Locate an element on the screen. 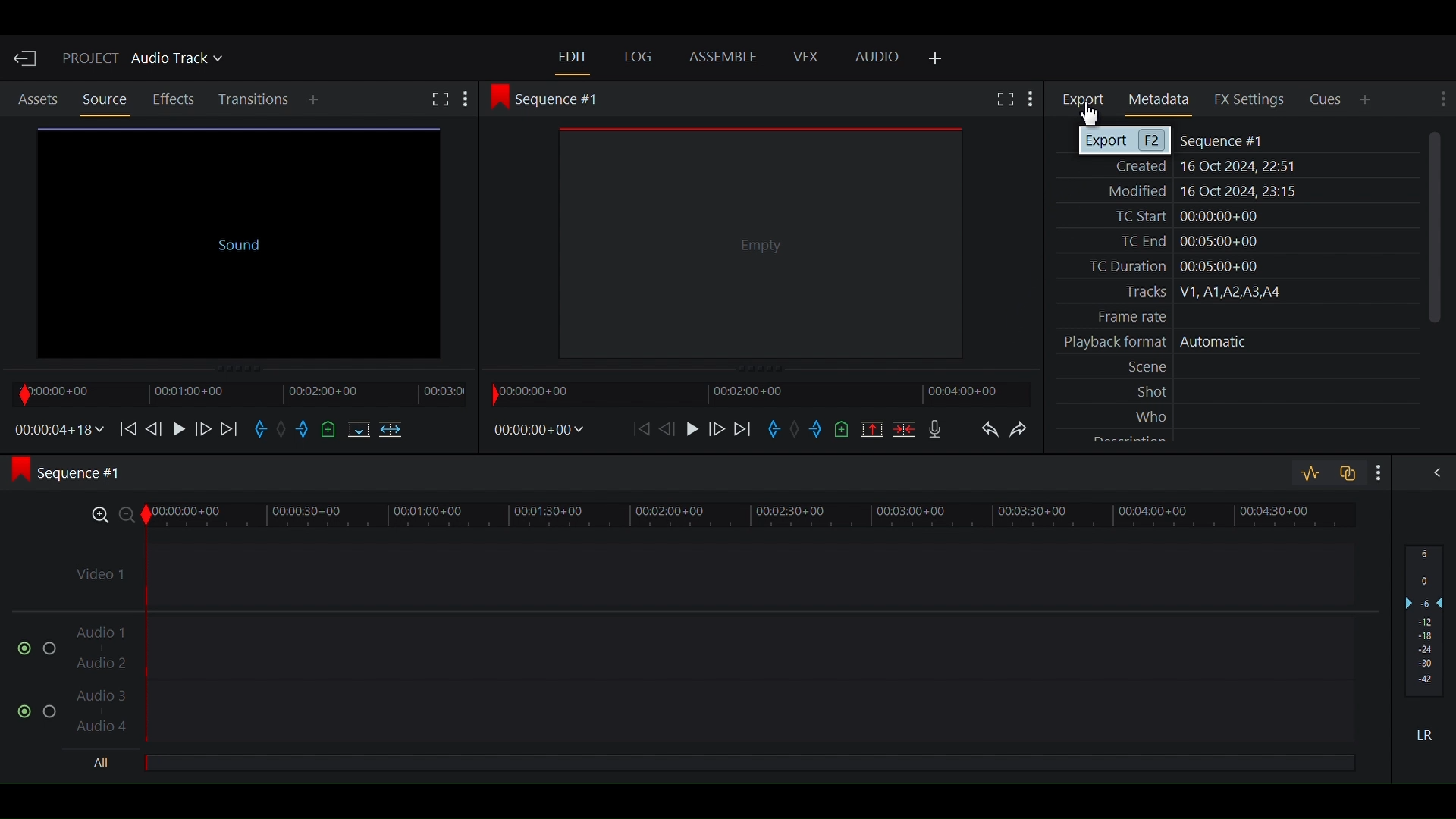 The height and width of the screenshot is (819, 1456). Record voice over is located at coordinates (935, 428).